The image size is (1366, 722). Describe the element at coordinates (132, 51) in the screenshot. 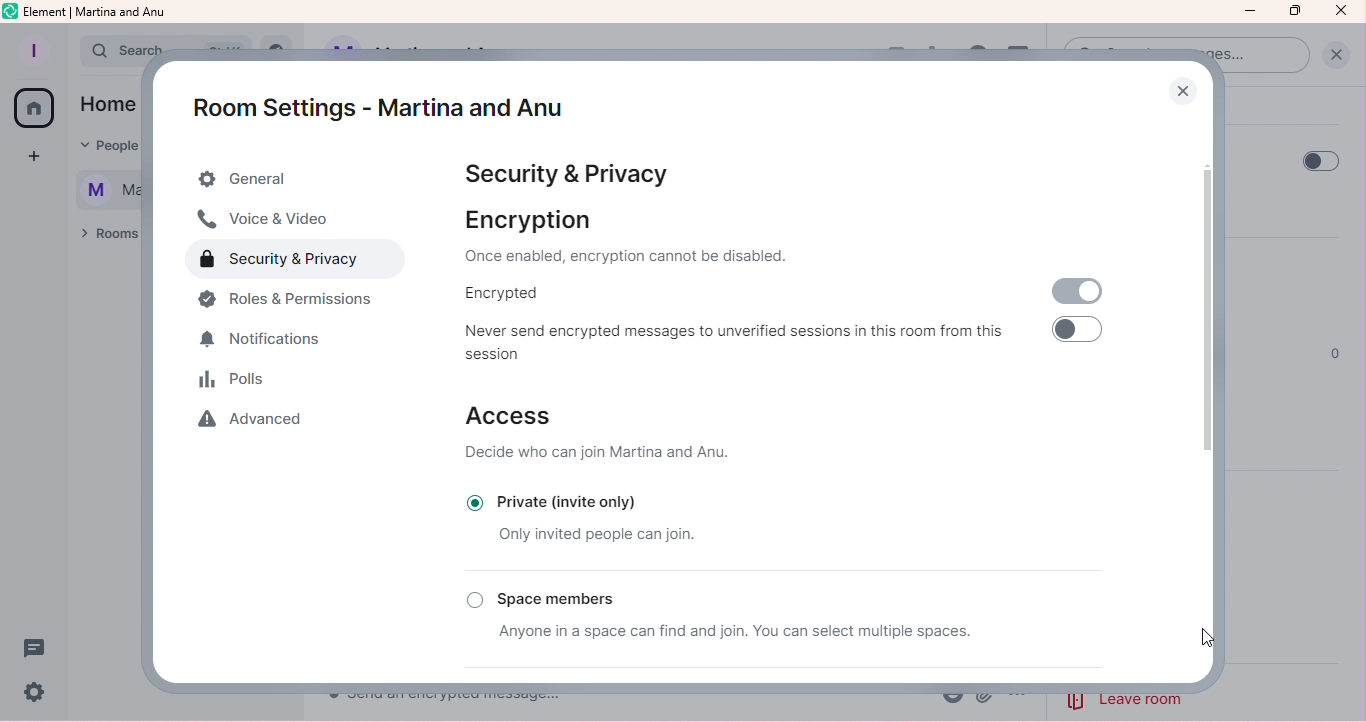

I see `search` at that location.